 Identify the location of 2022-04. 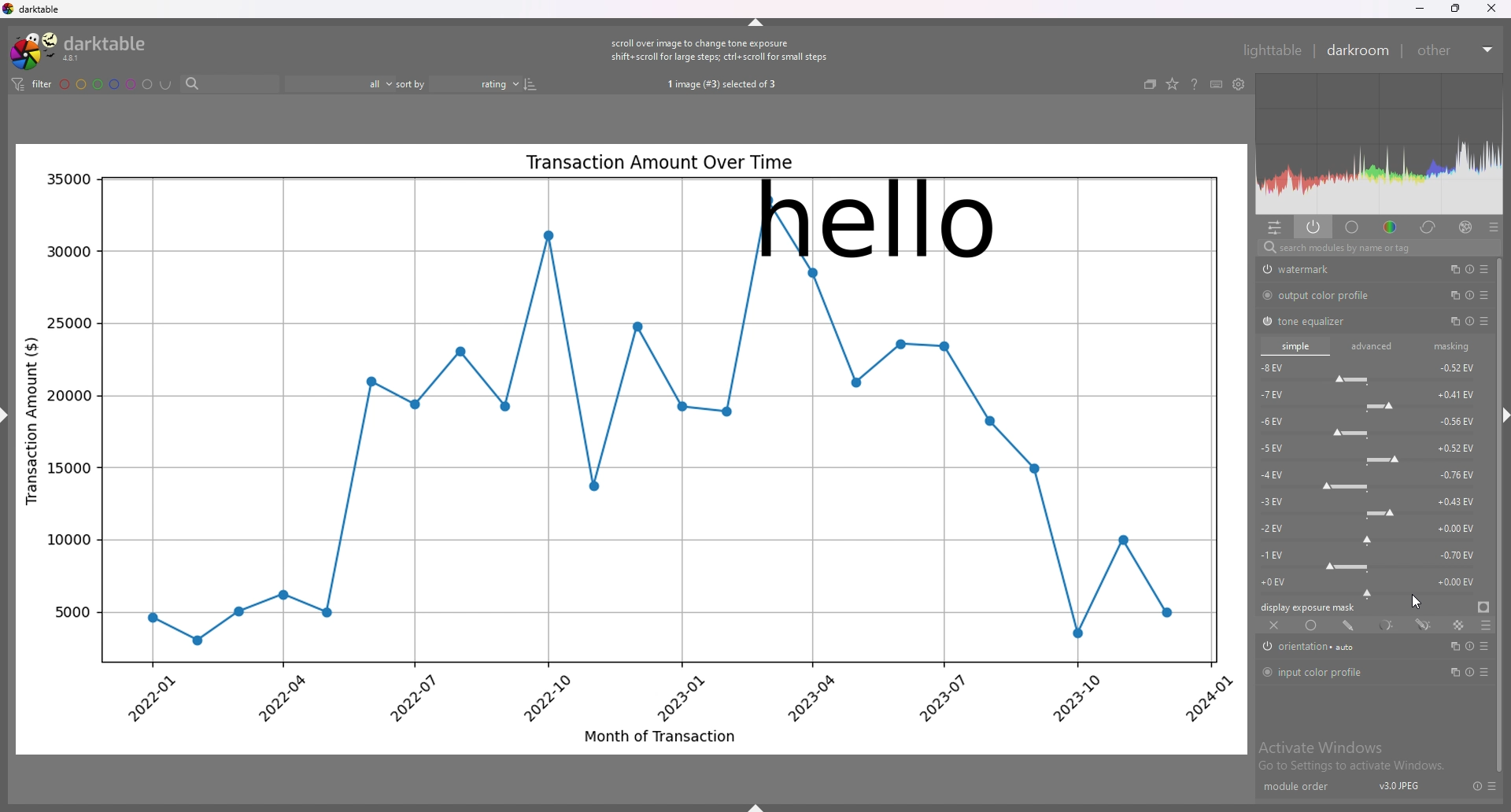
(281, 698).